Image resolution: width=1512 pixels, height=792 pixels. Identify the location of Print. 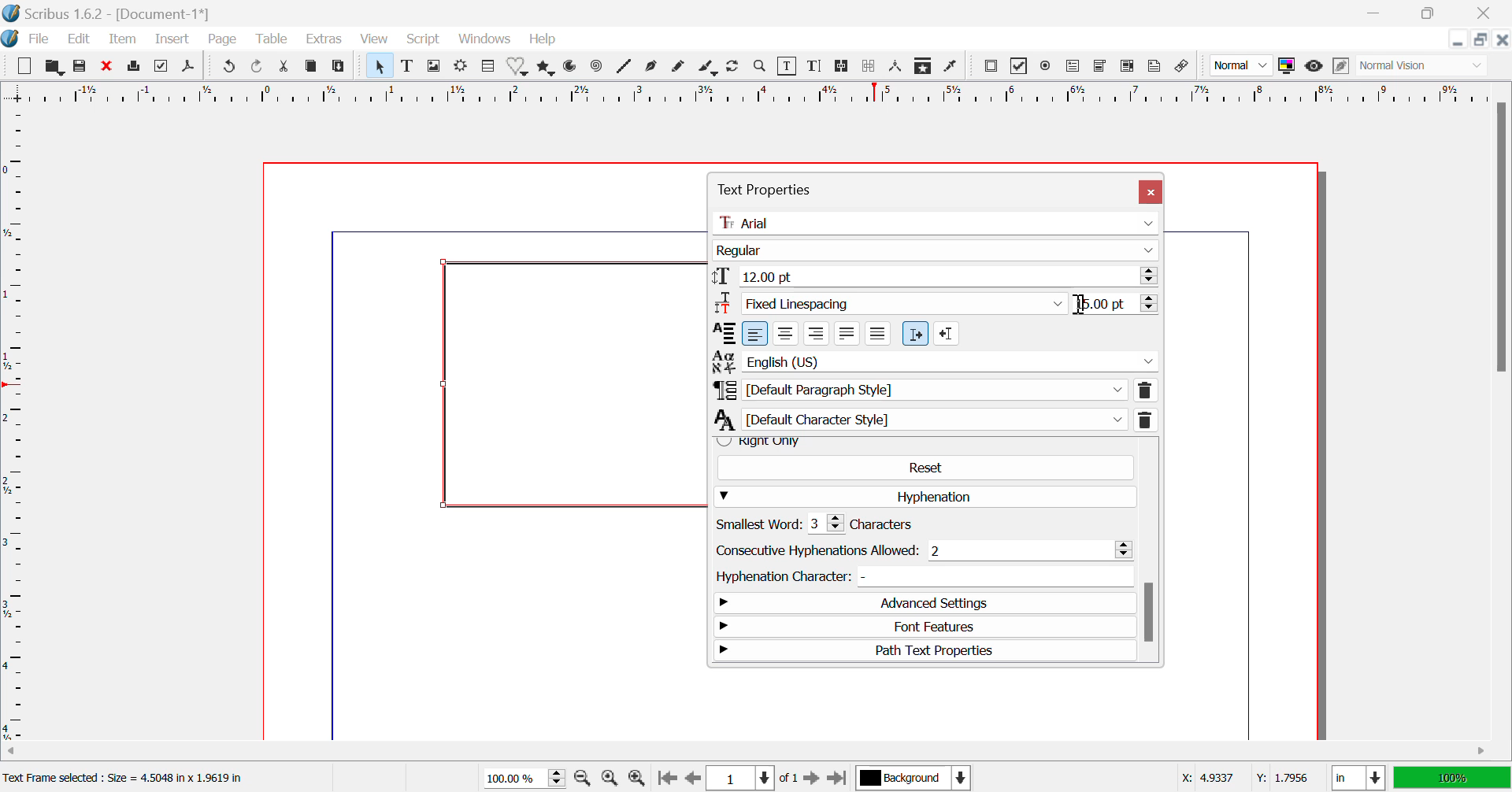
(134, 68).